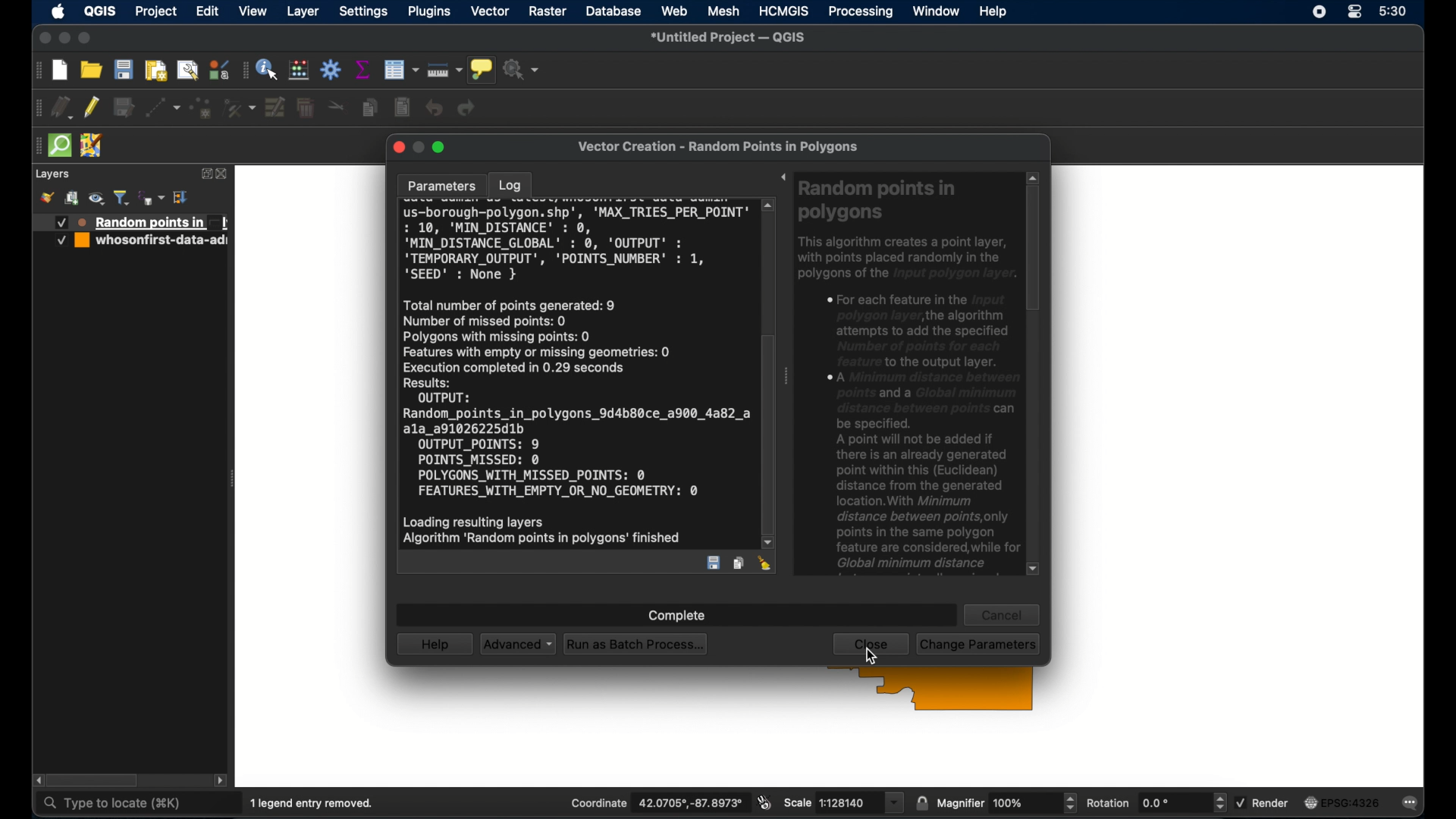 The height and width of the screenshot is (819, 1456). What do you see at coordinates (403, 108) in the screenshot?
I see `paste features` at bounding box center [403, 108].